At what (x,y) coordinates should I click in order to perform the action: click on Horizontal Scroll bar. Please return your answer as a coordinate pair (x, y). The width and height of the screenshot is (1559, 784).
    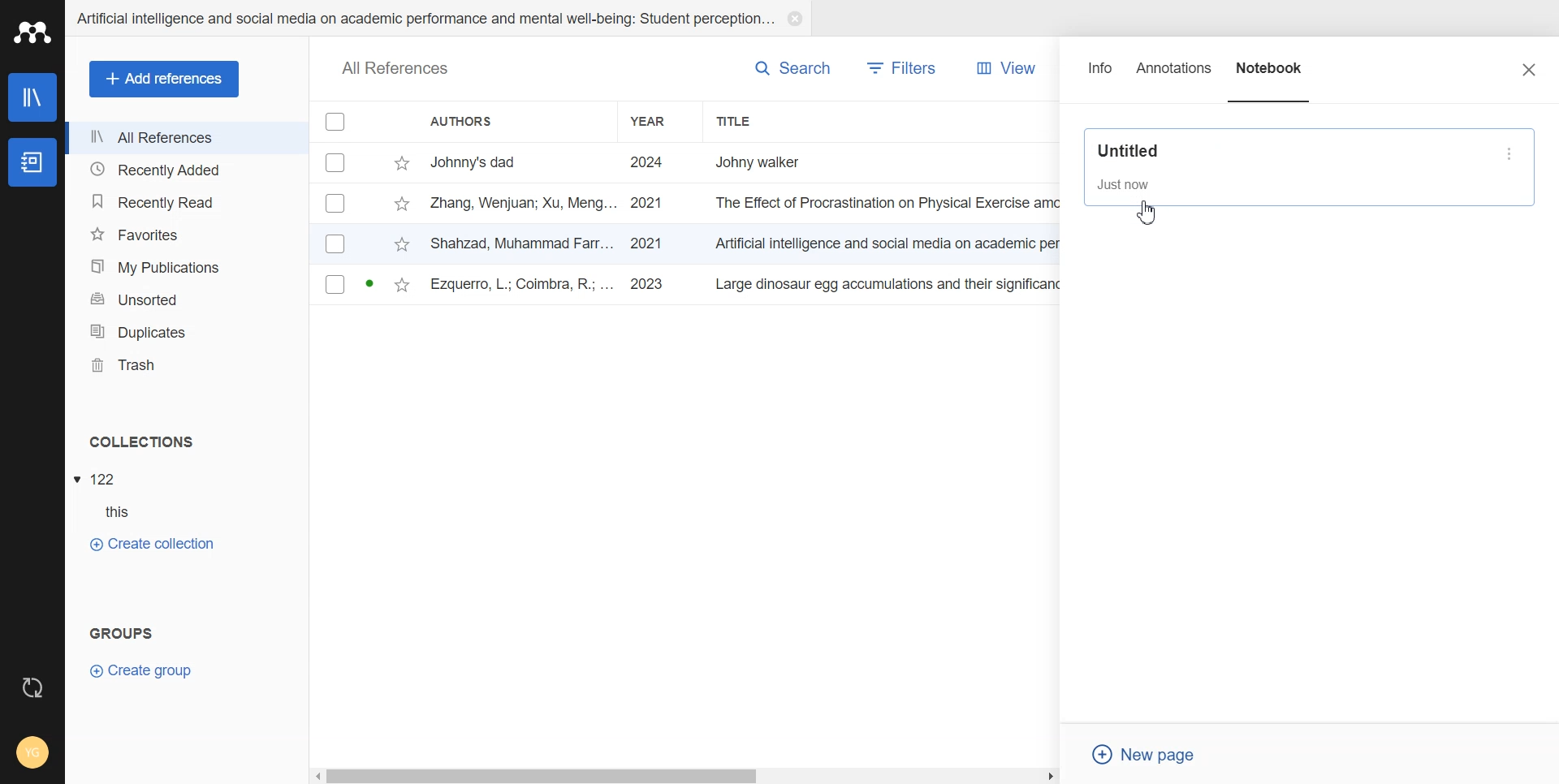
    Looking at the image, I should click on (686, 774).